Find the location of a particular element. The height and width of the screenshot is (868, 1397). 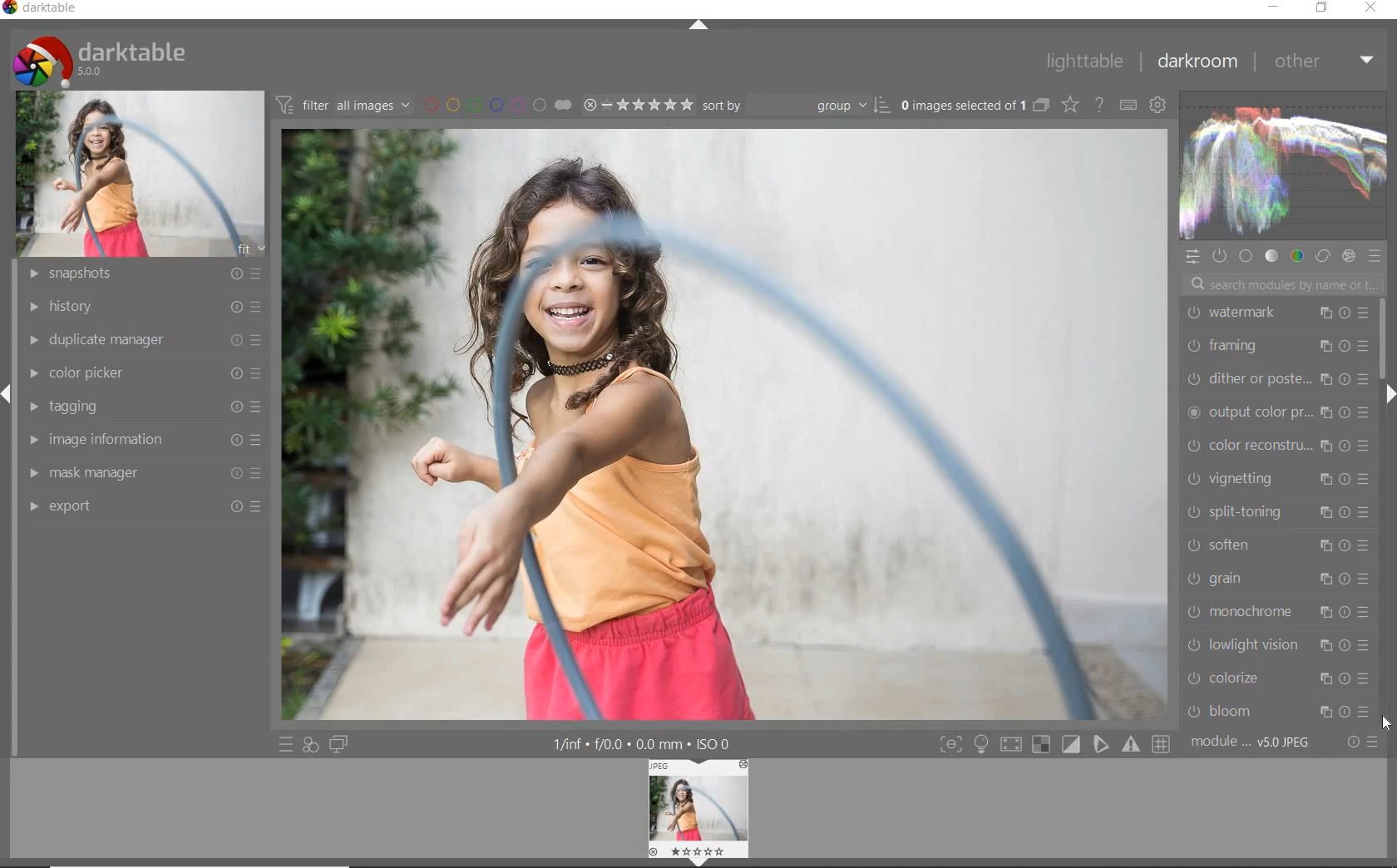

preset is located at coordinates (1377, 259).